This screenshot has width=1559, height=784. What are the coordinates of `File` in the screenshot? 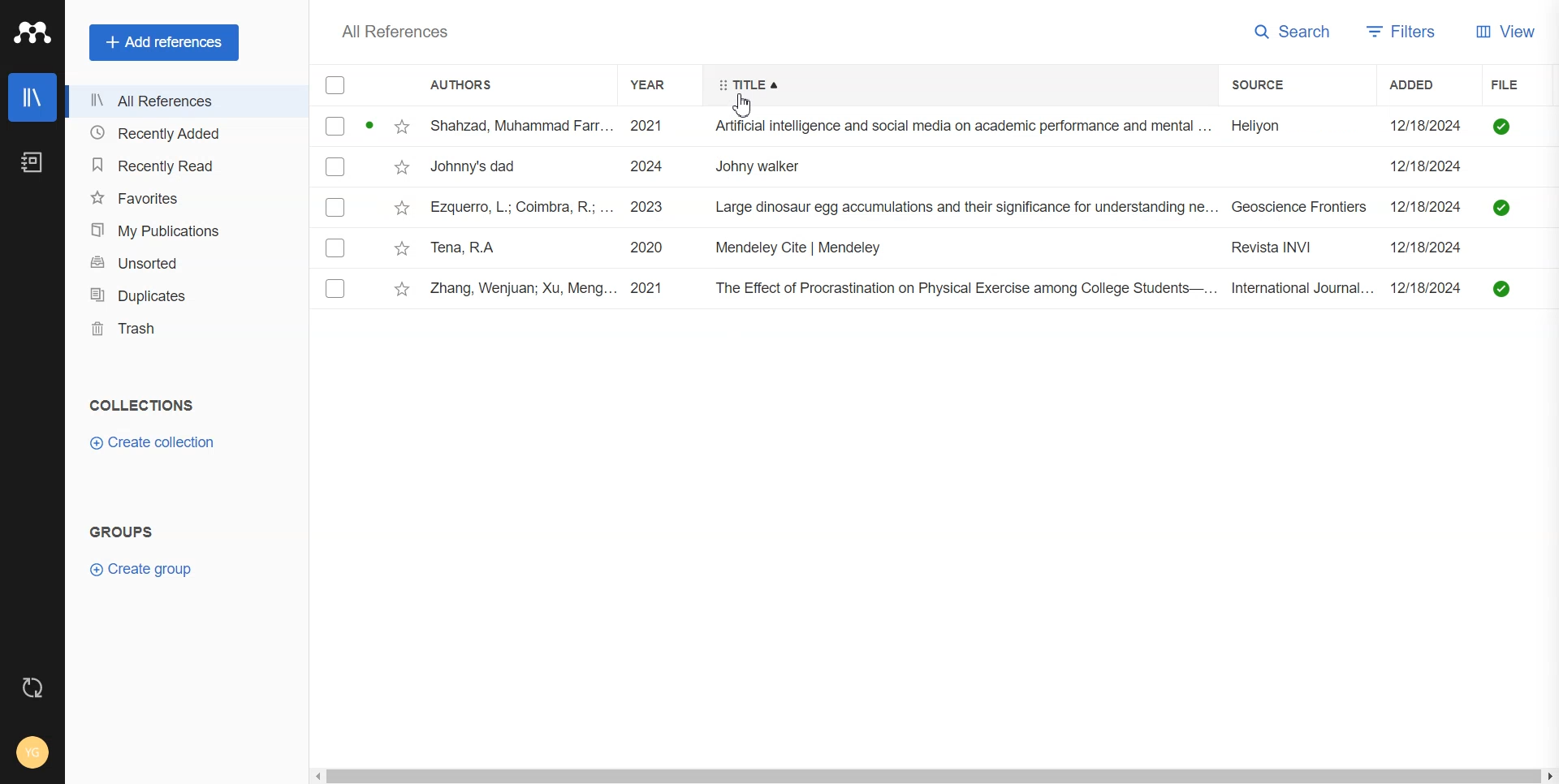 It's located at (992, 248).